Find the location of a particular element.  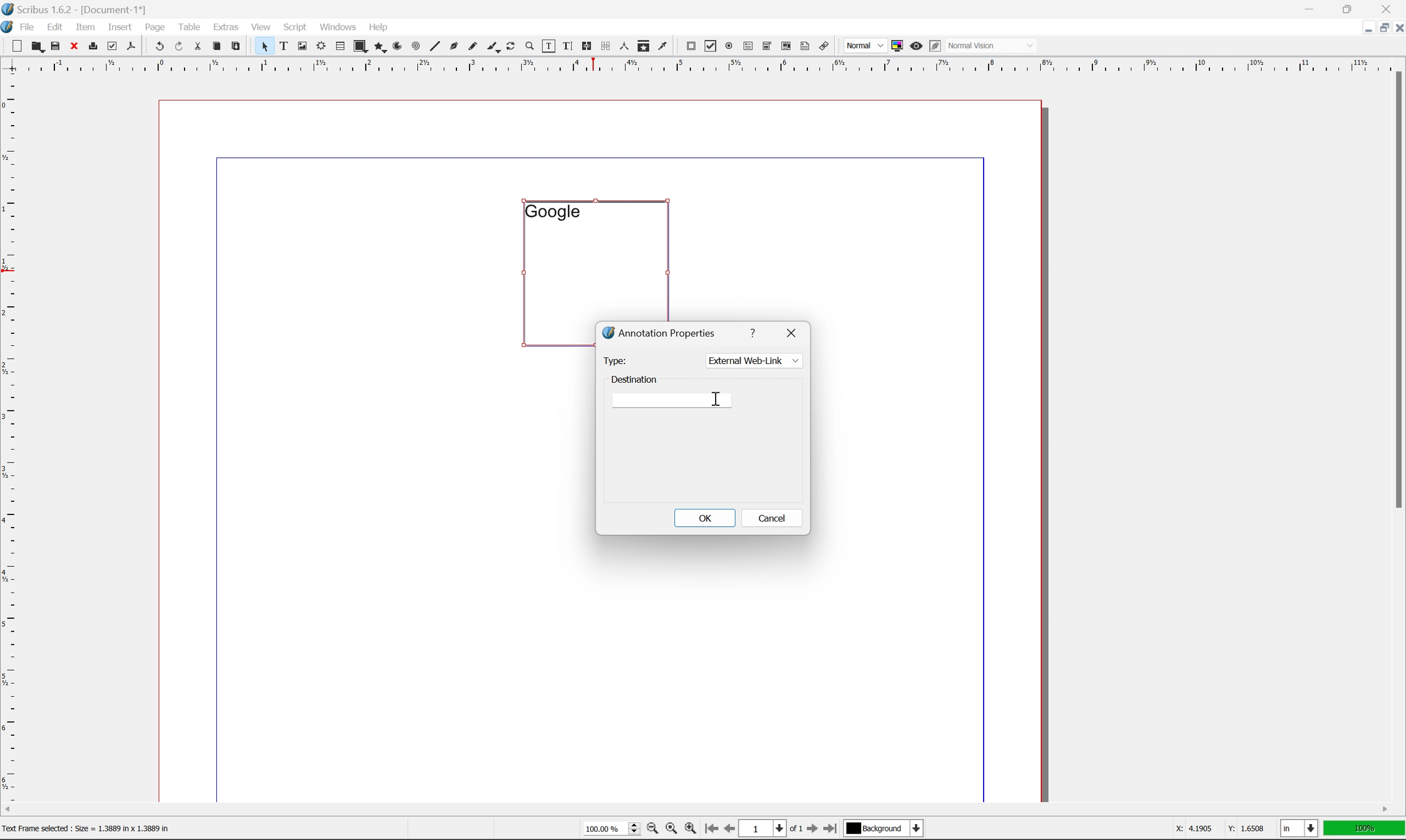

close is located at coordinates (1397, 27).